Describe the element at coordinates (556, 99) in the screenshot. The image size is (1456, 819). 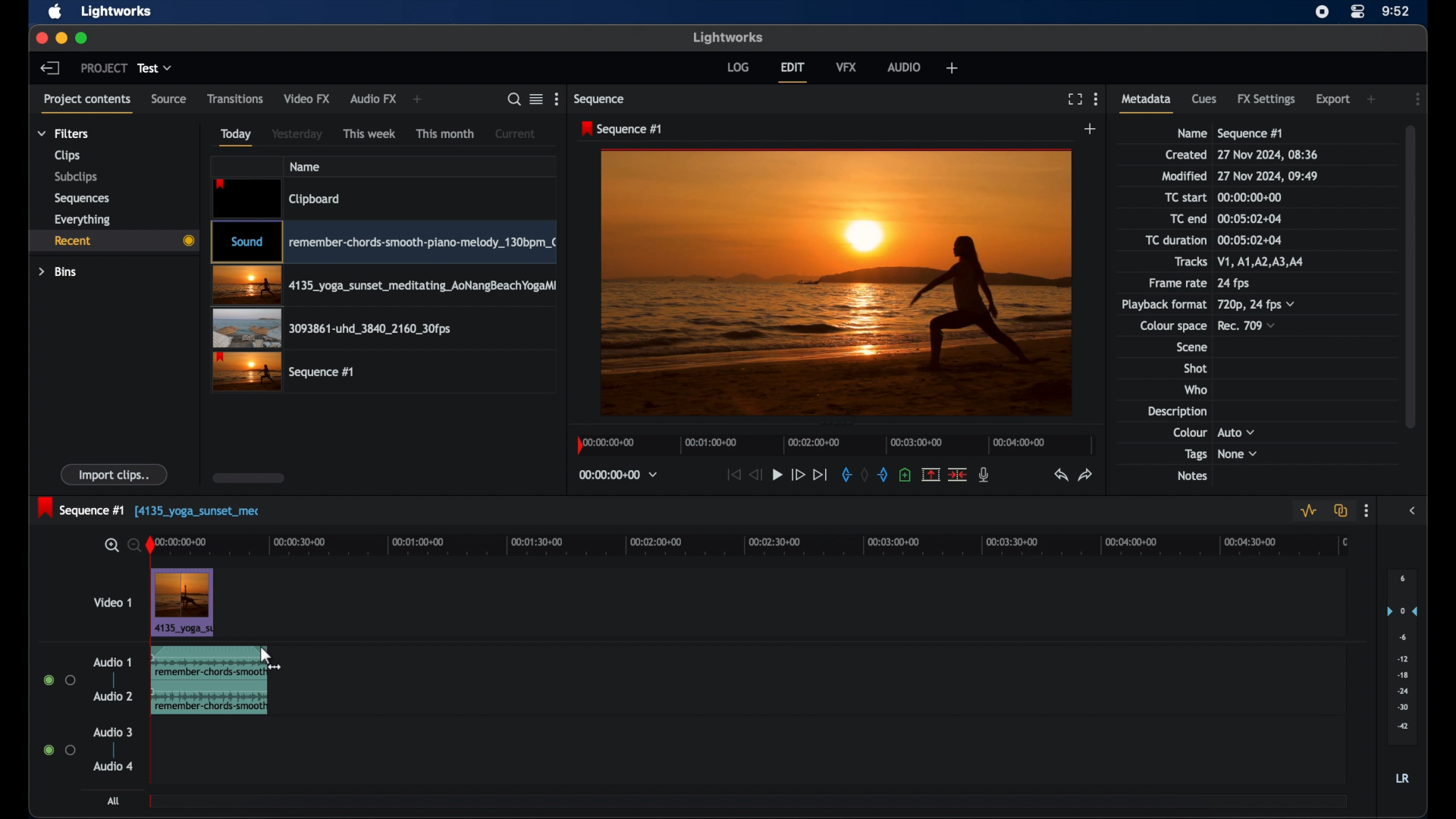
I see `more options` at that location.